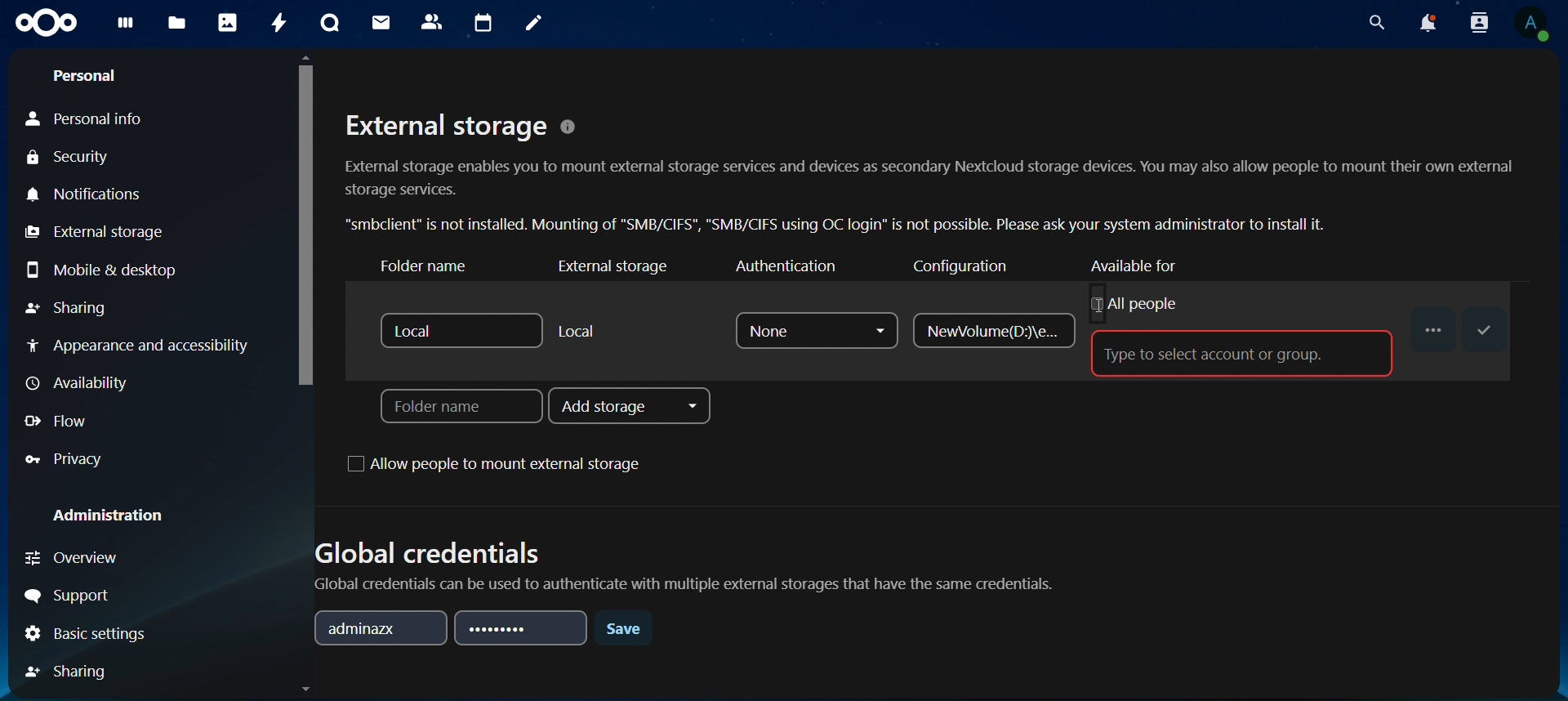 The height and width of the screenshot is (701, 1568). I want to click on photos, so click(229, 23).